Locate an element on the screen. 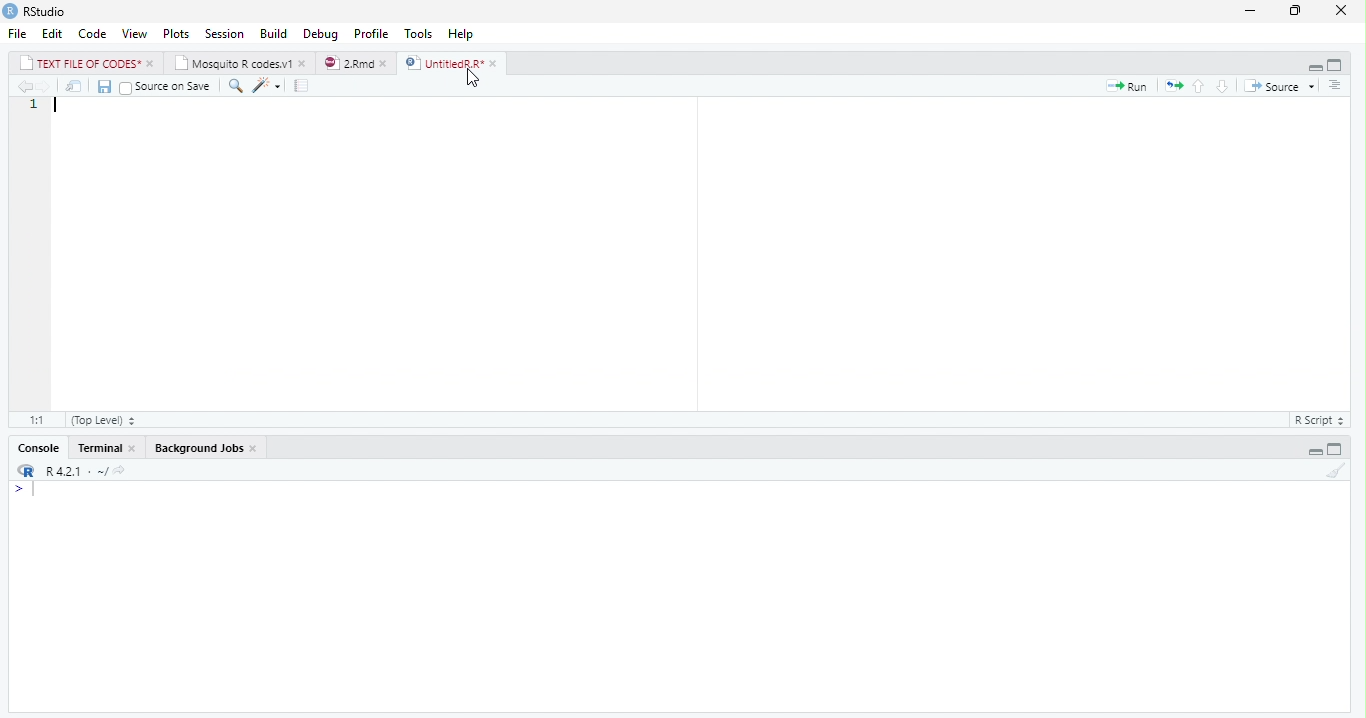 This screenshot has width=1366, height=718. close is located at coordinates (496, 64).